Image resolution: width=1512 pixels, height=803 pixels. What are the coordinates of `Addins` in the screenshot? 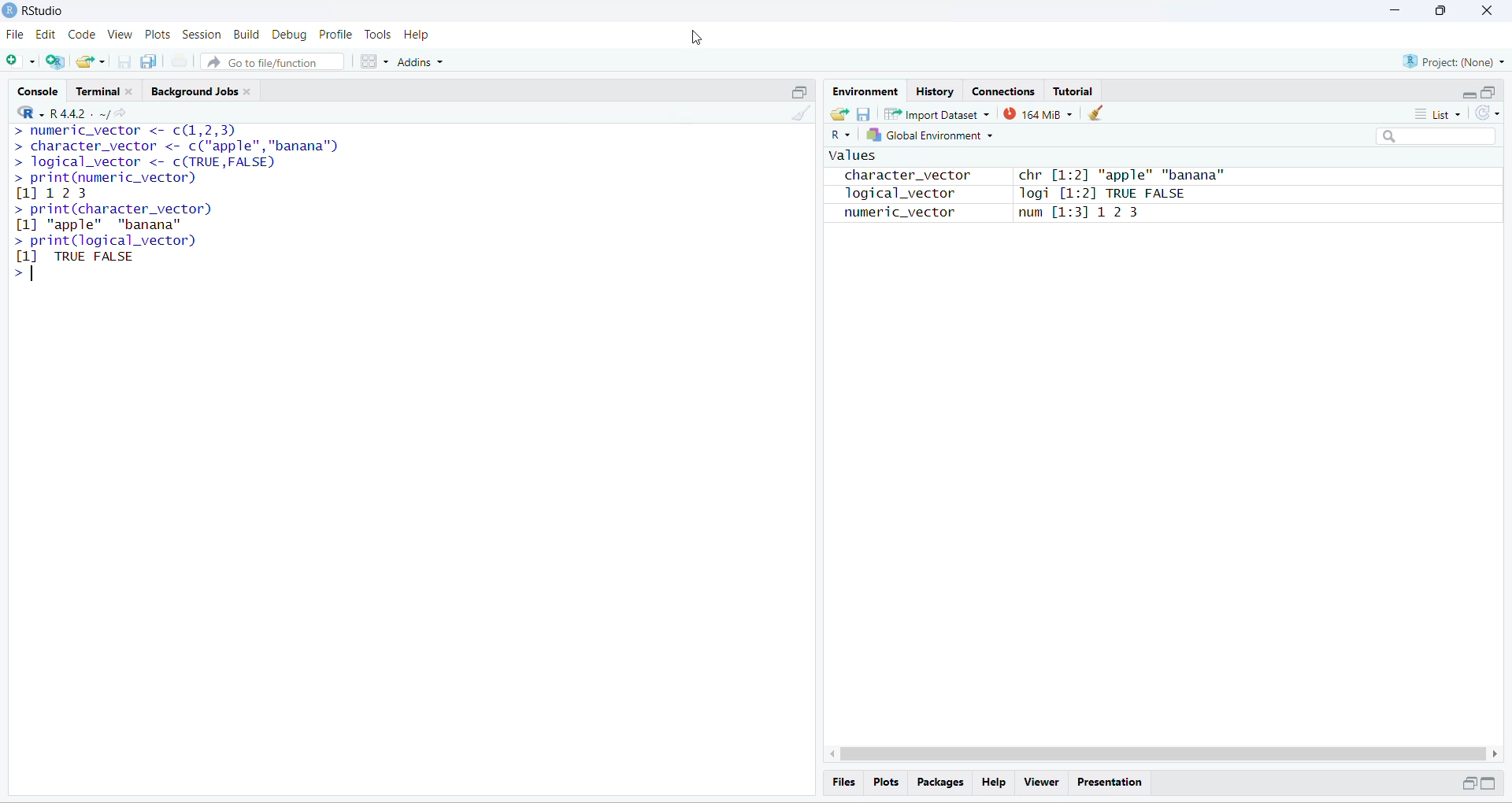 It's located at (421, 62).